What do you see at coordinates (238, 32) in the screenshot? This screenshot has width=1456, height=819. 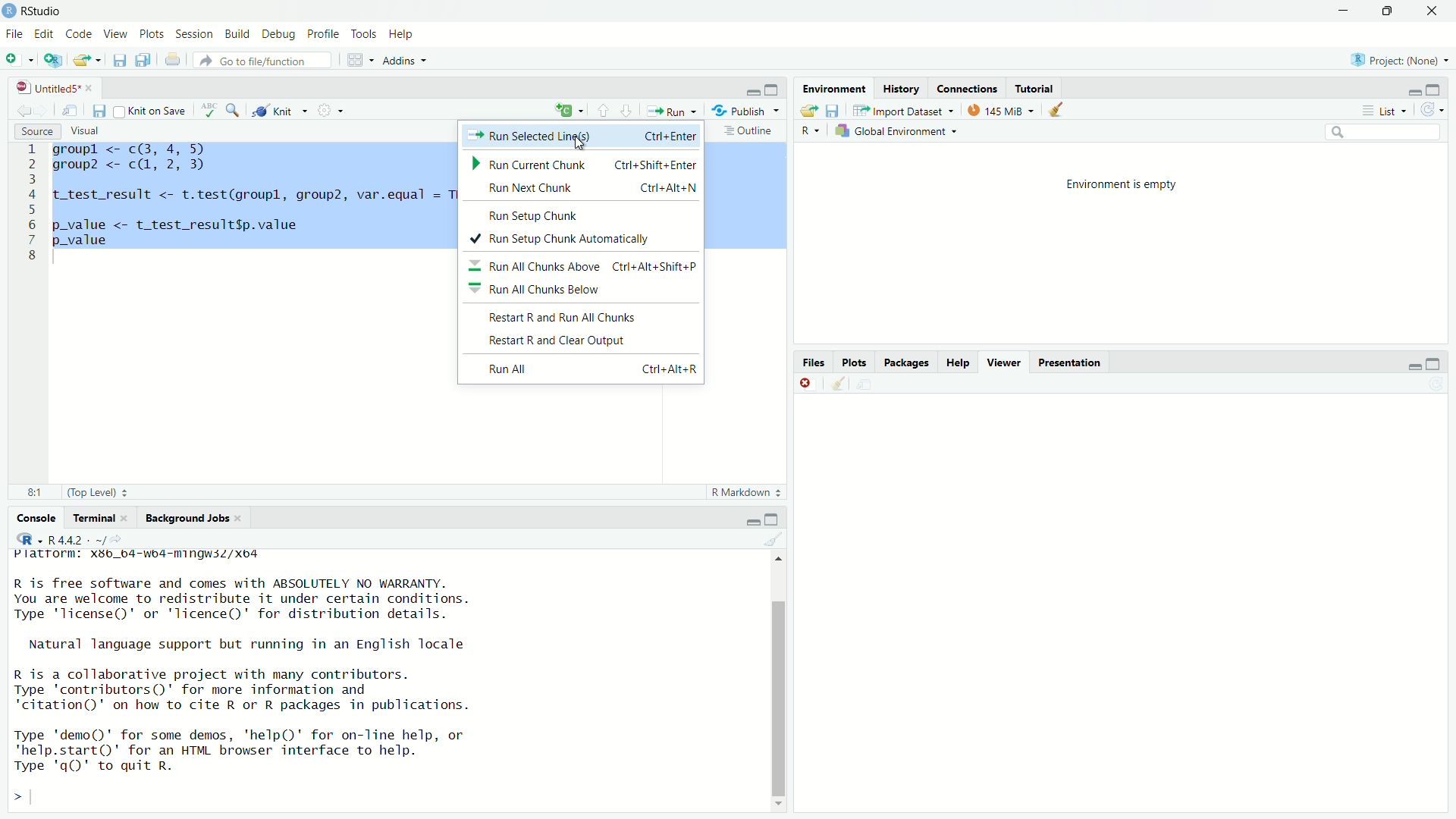 I see `Build` at bounding box center [238, 32].